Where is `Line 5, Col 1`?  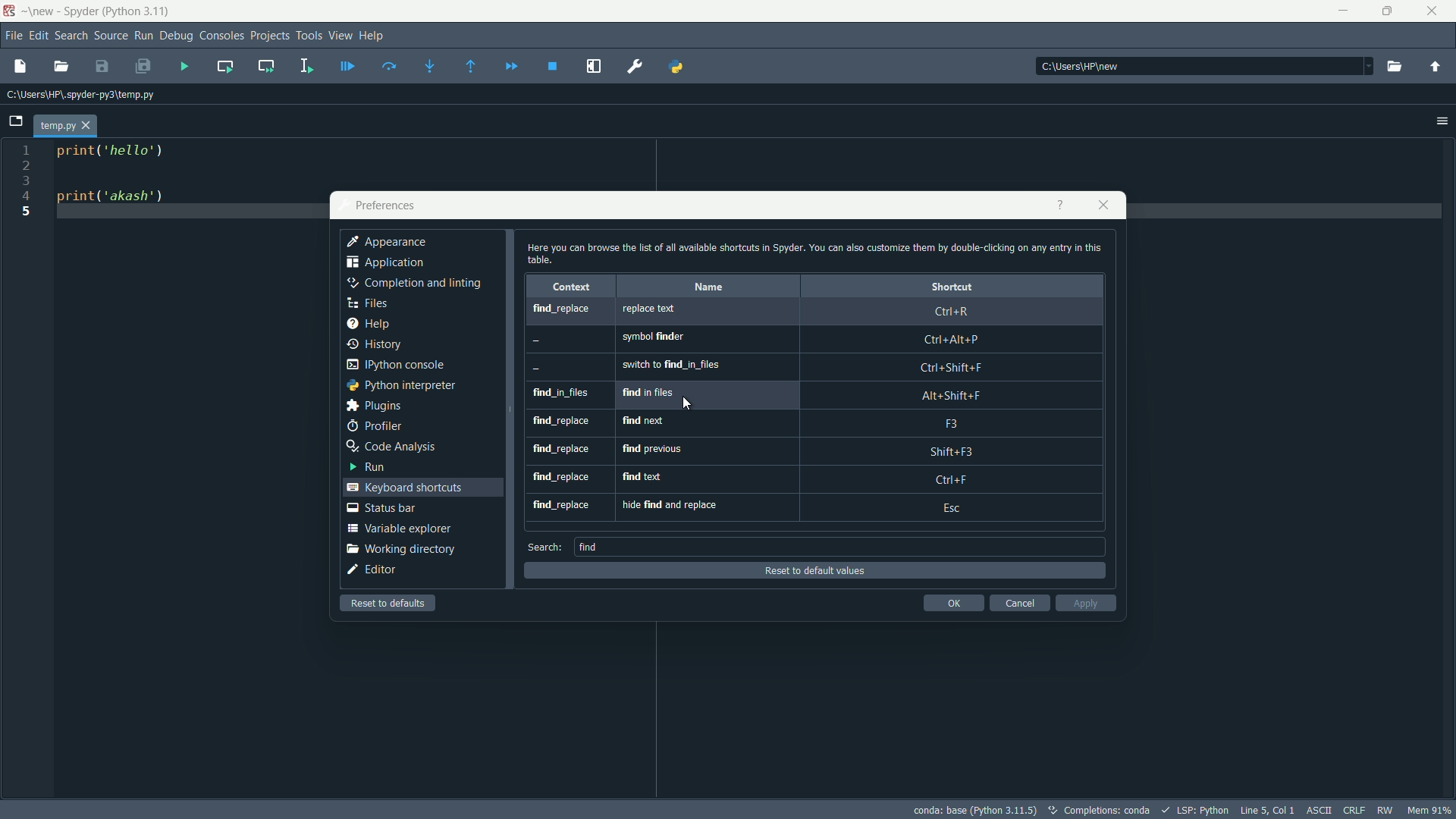
Line 5, Col 1 is located at coordinates (1267, 810).